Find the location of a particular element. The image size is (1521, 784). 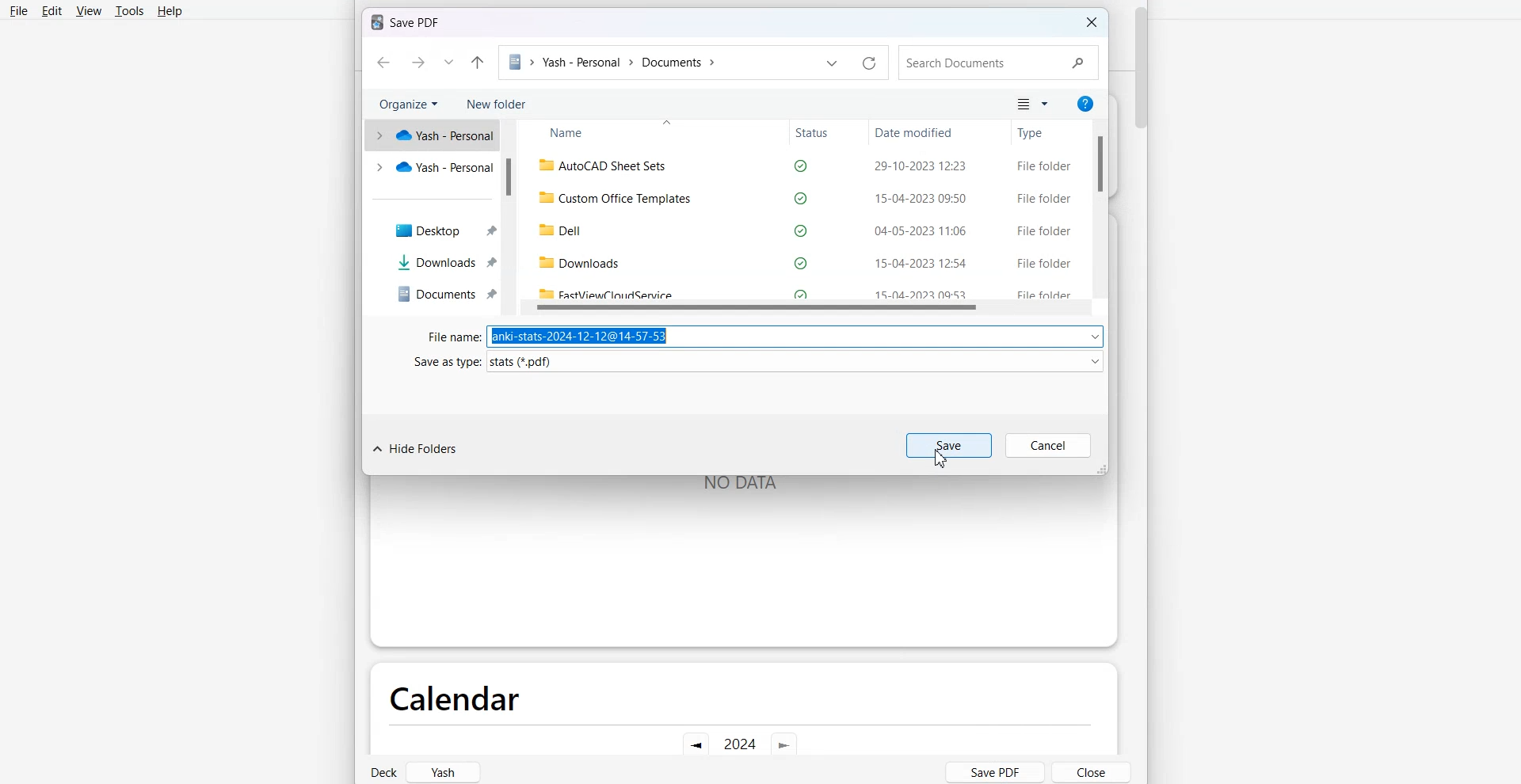

Organize is located at coordinates (407, 104).